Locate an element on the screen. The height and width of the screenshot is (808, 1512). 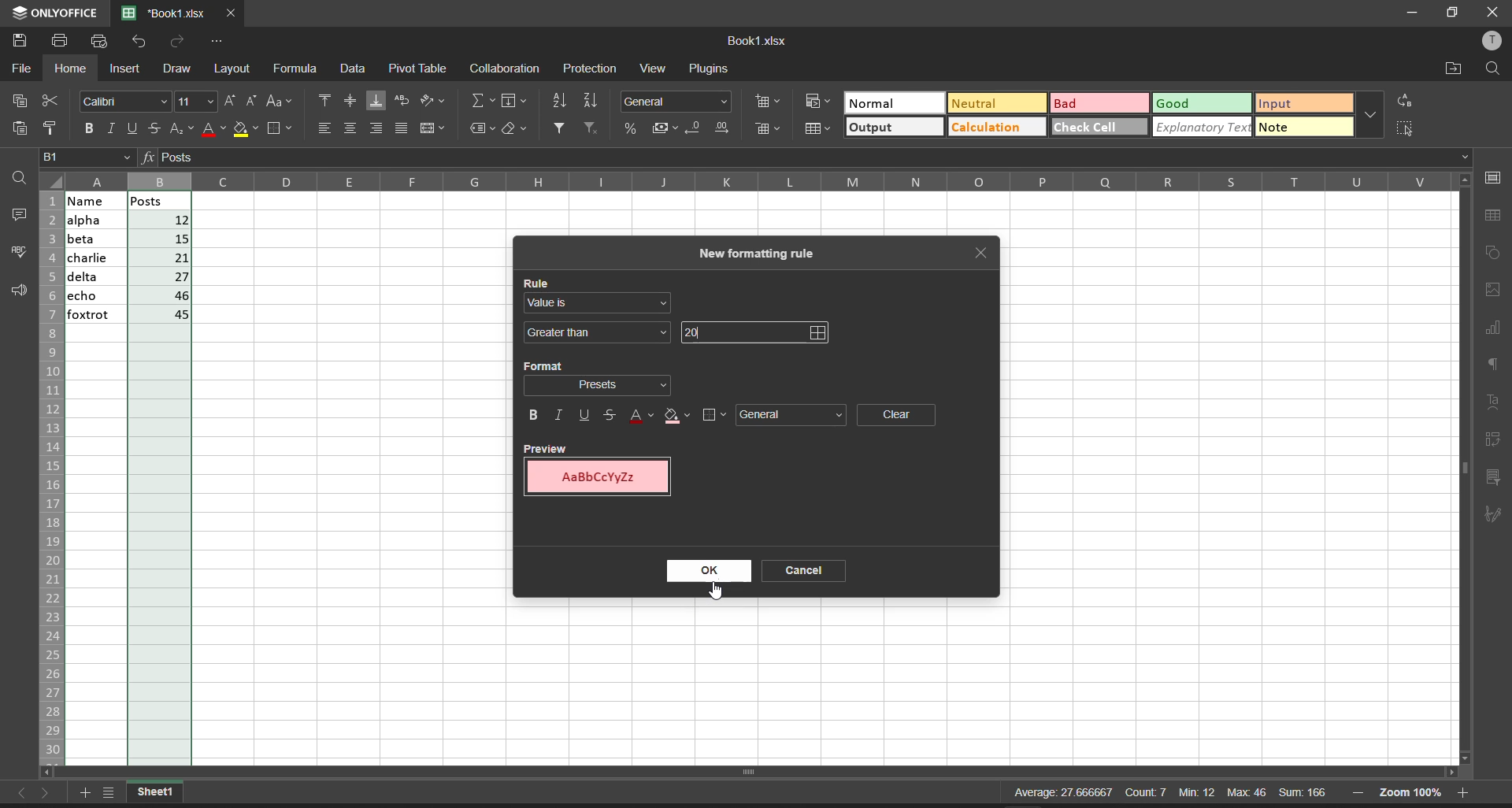
Bad is located at coordinates (1069, 103).